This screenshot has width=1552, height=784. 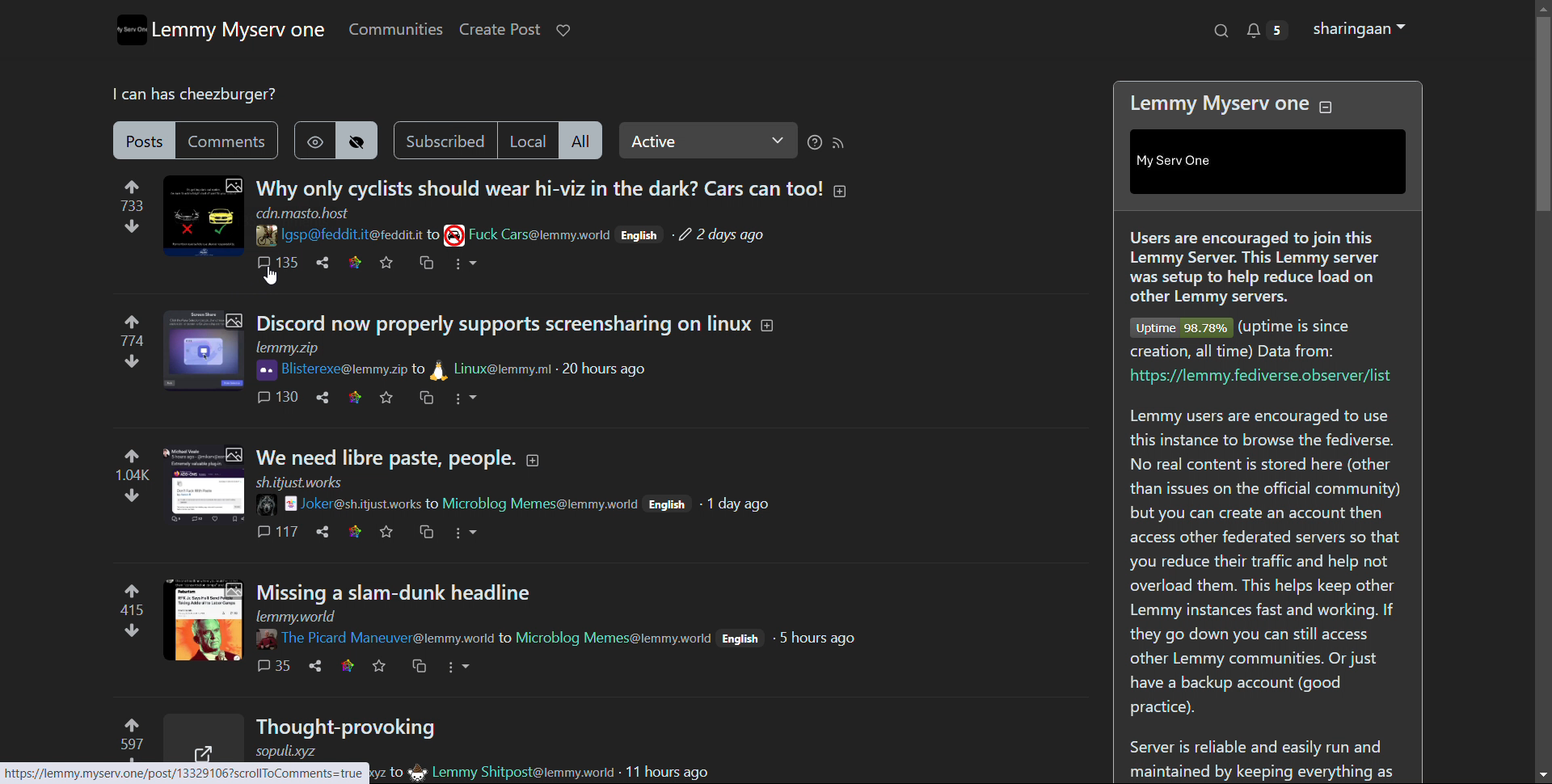 What do you see at coordinates (533, 460) in the screenshot?
I see `expand` at bounding box center [533, 460].